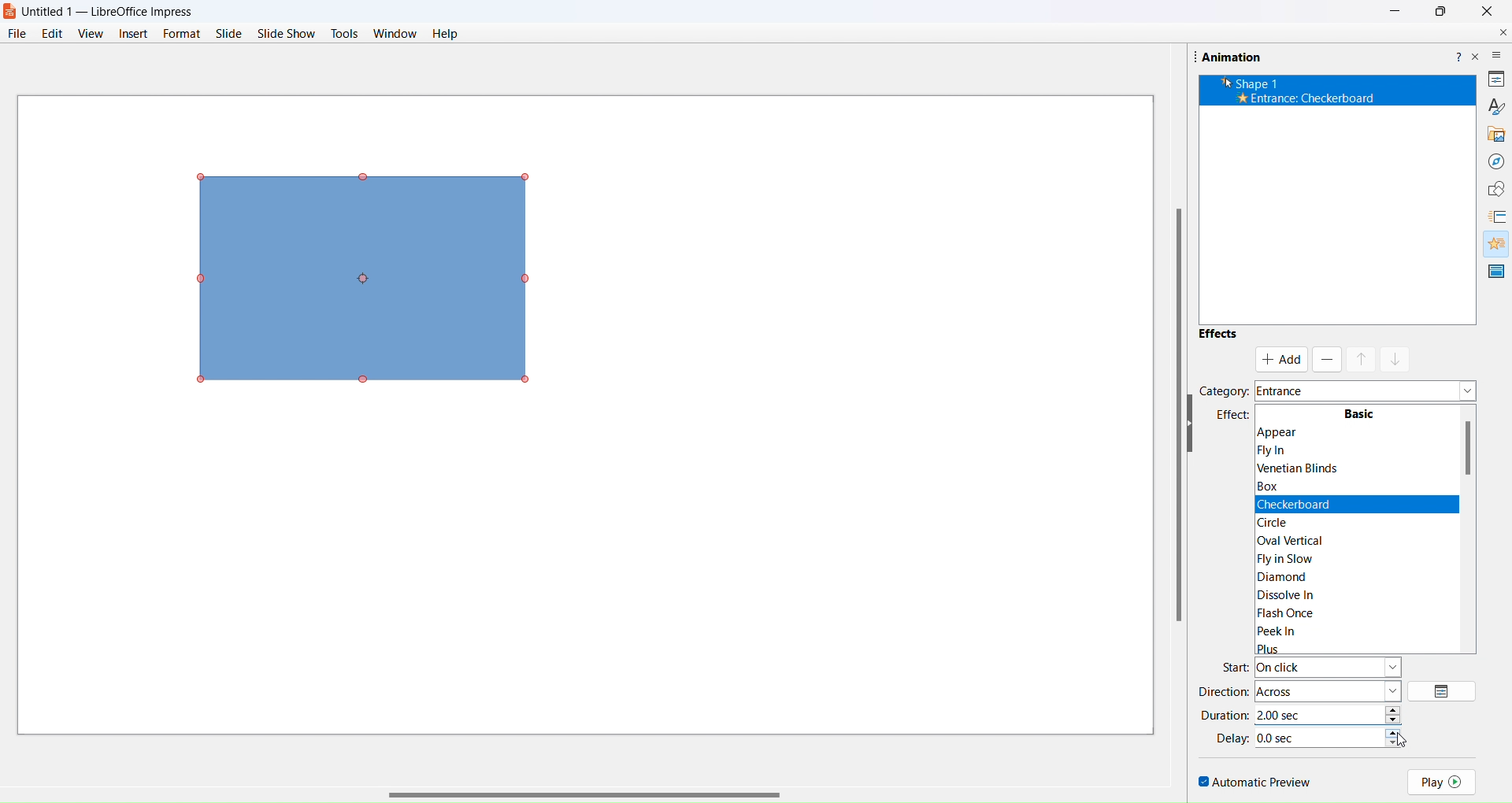 This screenshot has height=803, width=1512. Describe the element at coordinates (1444, 691) in the screenshot. I see `options` at that location.